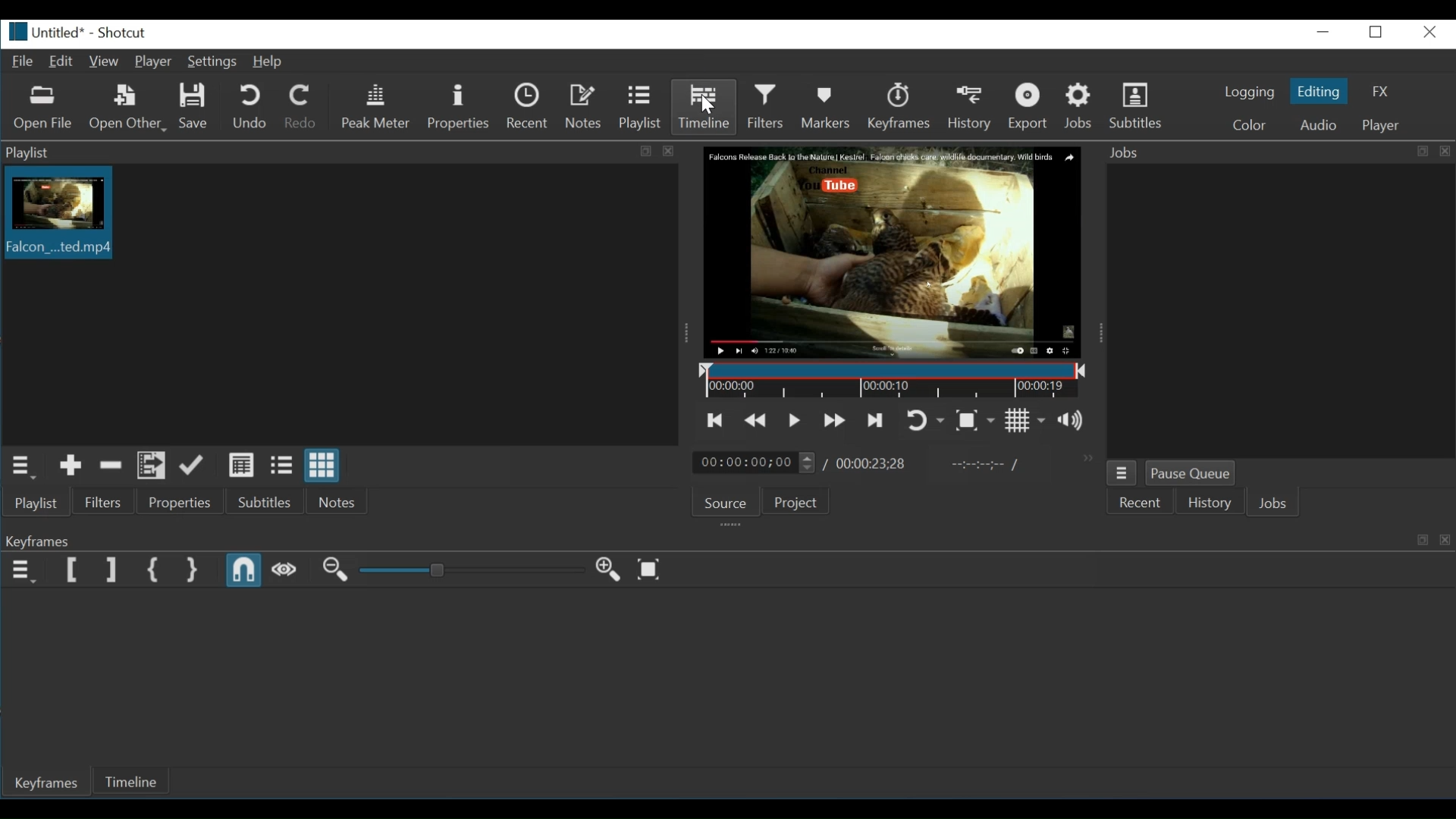 The image size is (1456, 819). I want to click on Clip thumbnail, so click(61, 212).